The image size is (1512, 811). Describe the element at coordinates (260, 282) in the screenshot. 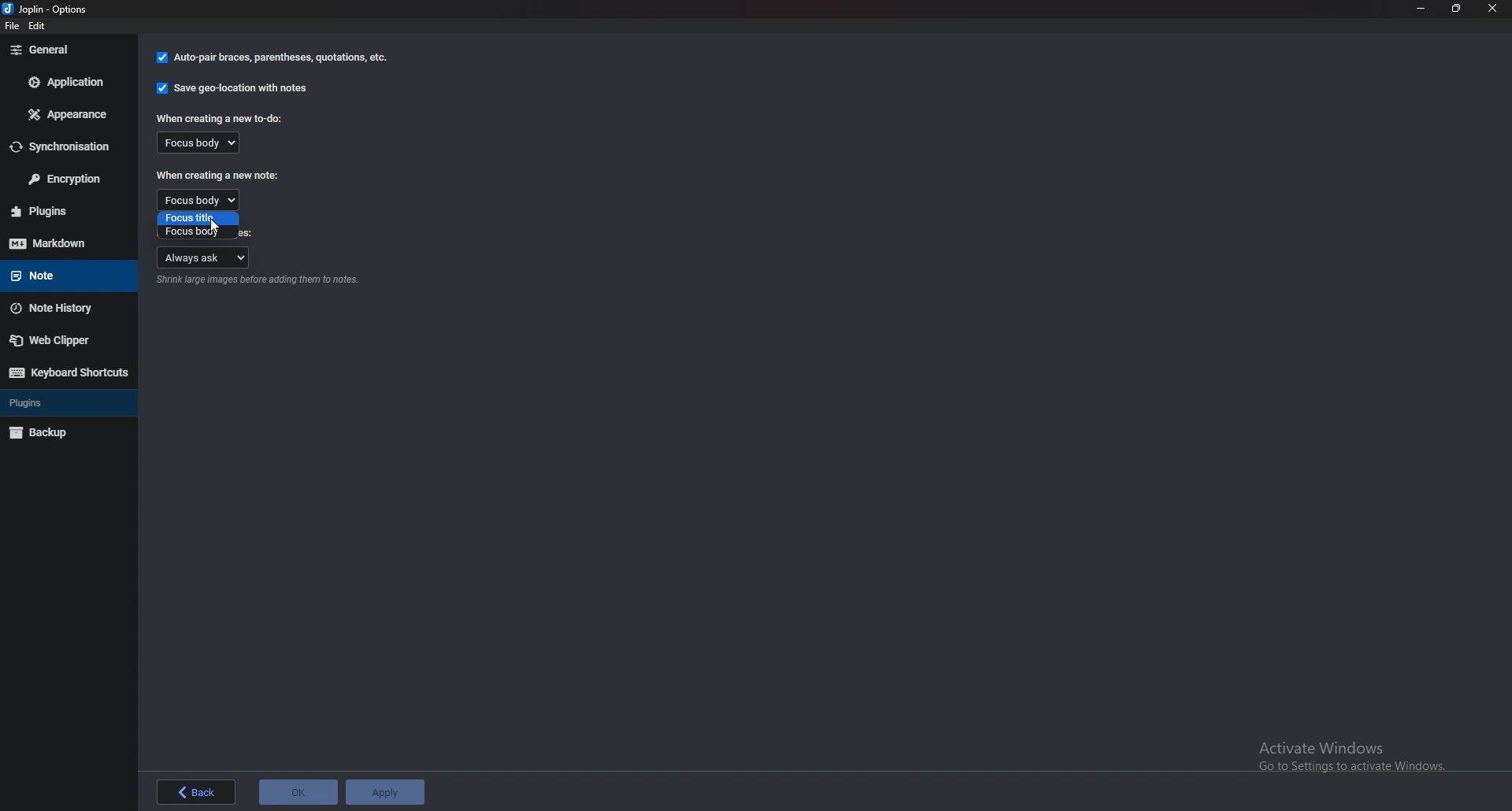

I see `Info` at that location.